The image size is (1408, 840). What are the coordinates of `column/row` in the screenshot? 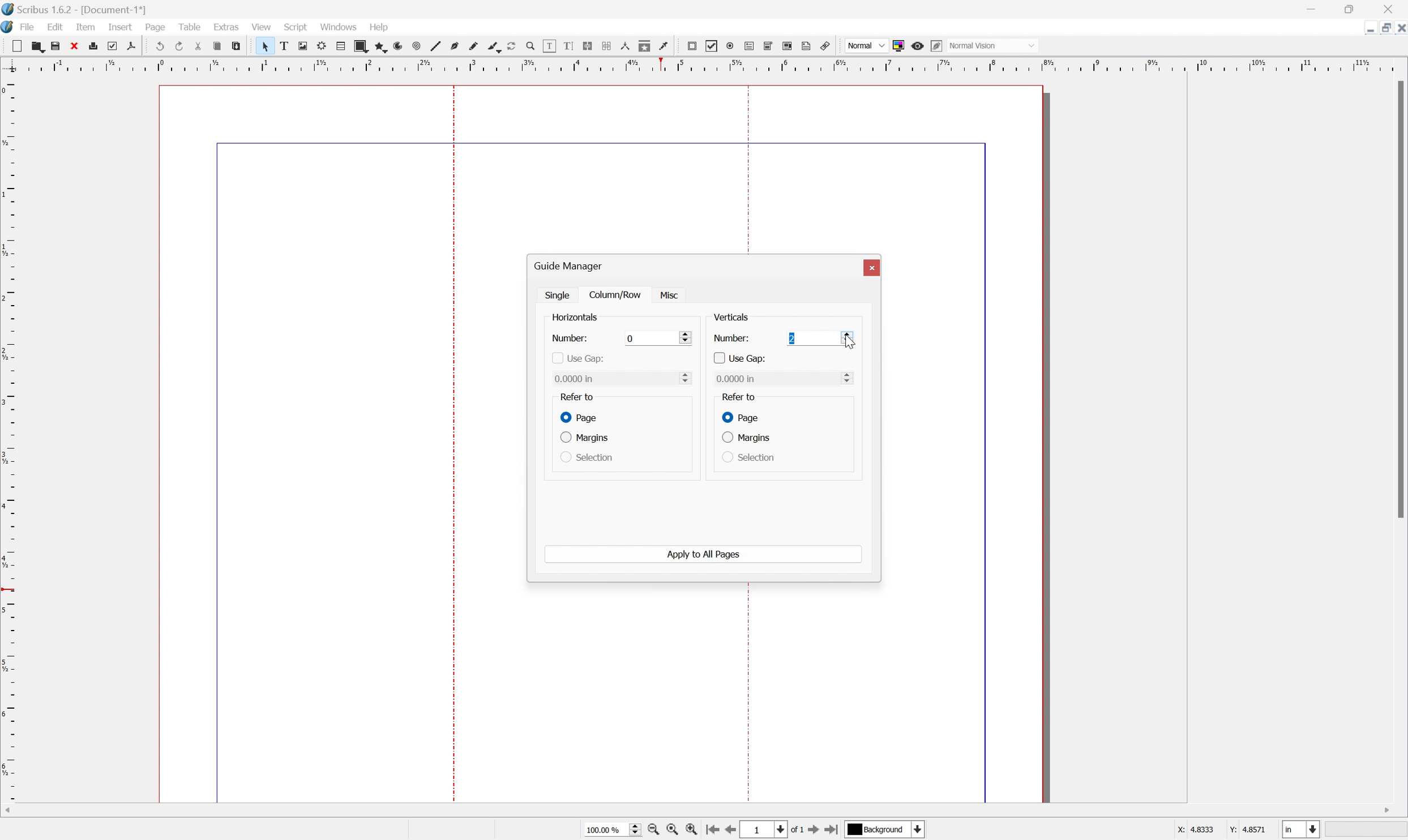 It's located at (617, 294).